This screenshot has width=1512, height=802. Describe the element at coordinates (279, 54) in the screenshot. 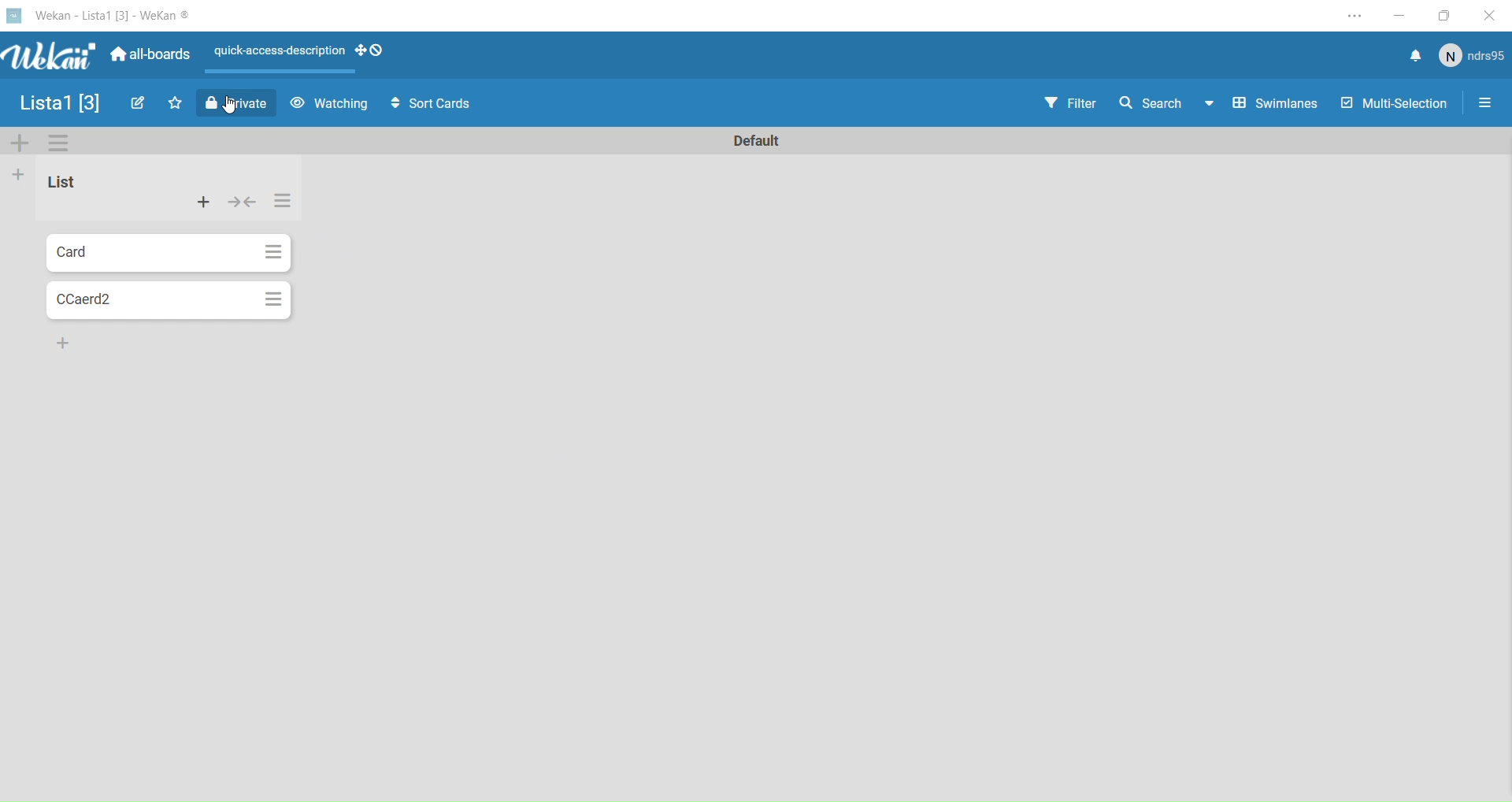

I see `QuickAcccesdescription` at that location.